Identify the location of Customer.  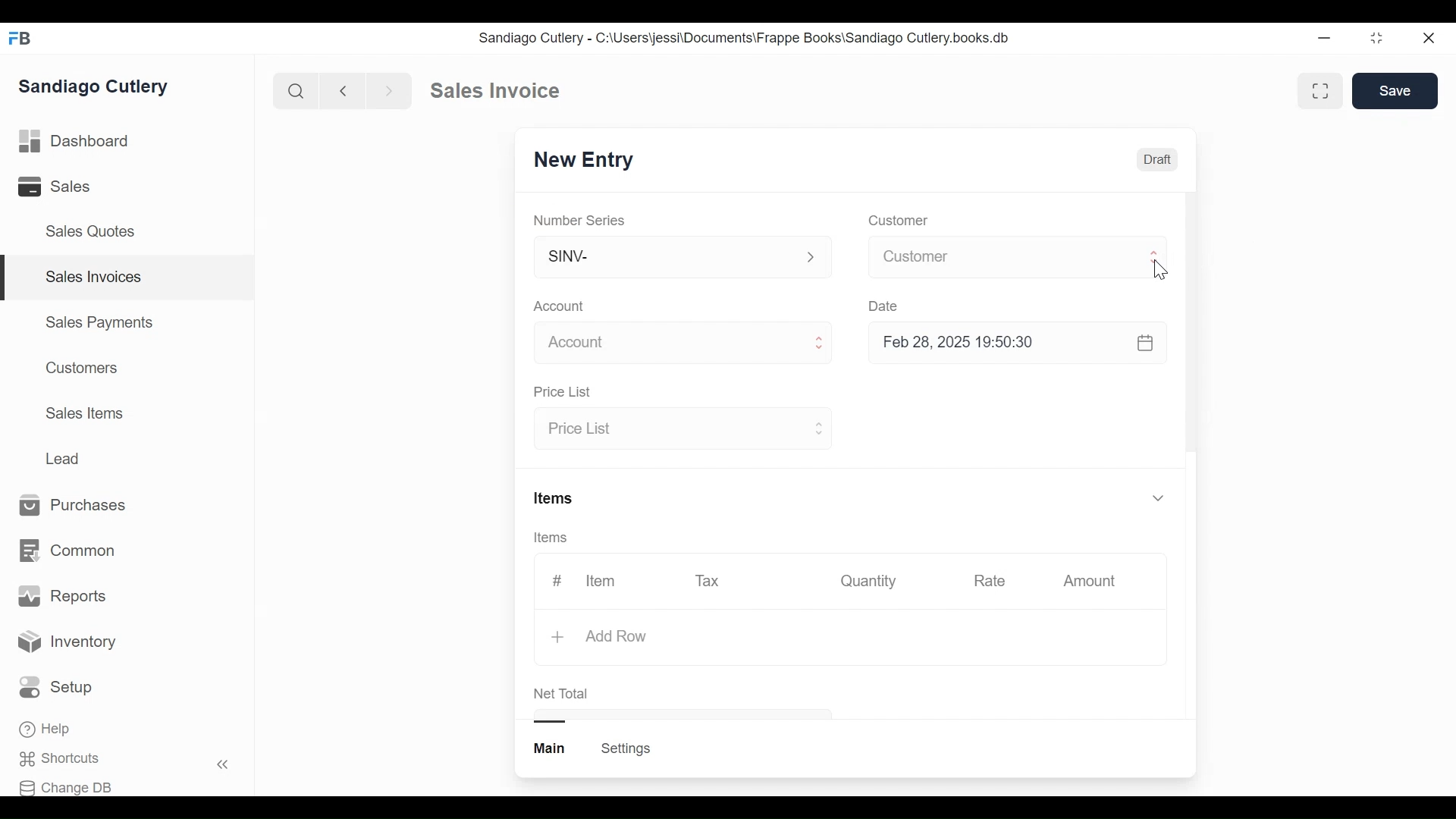
(896, 221).